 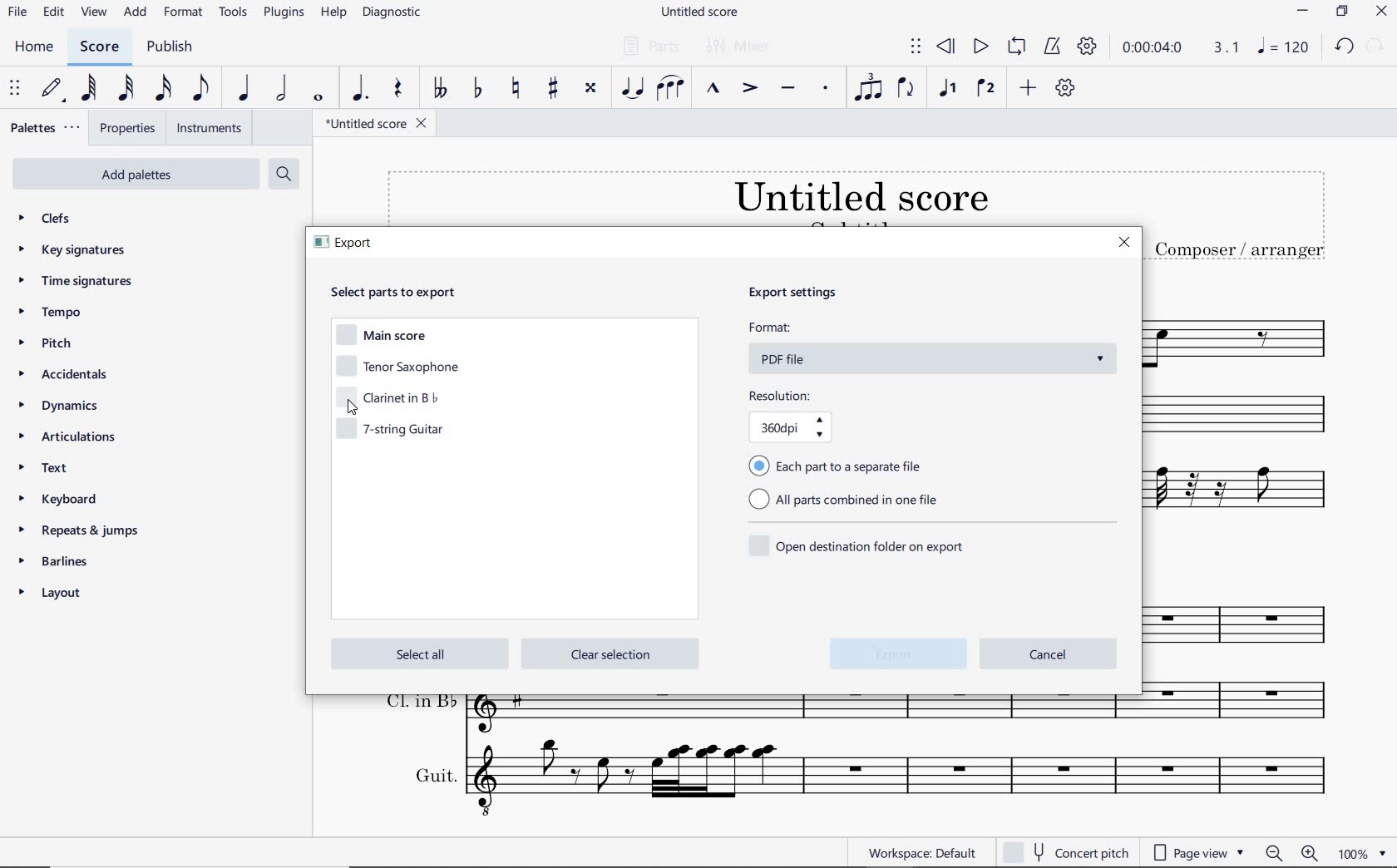 What do you see at coordinates (16, 90) in the screenshot?
I see `SELECT TO MOVE` at bounding box center [16, 90].